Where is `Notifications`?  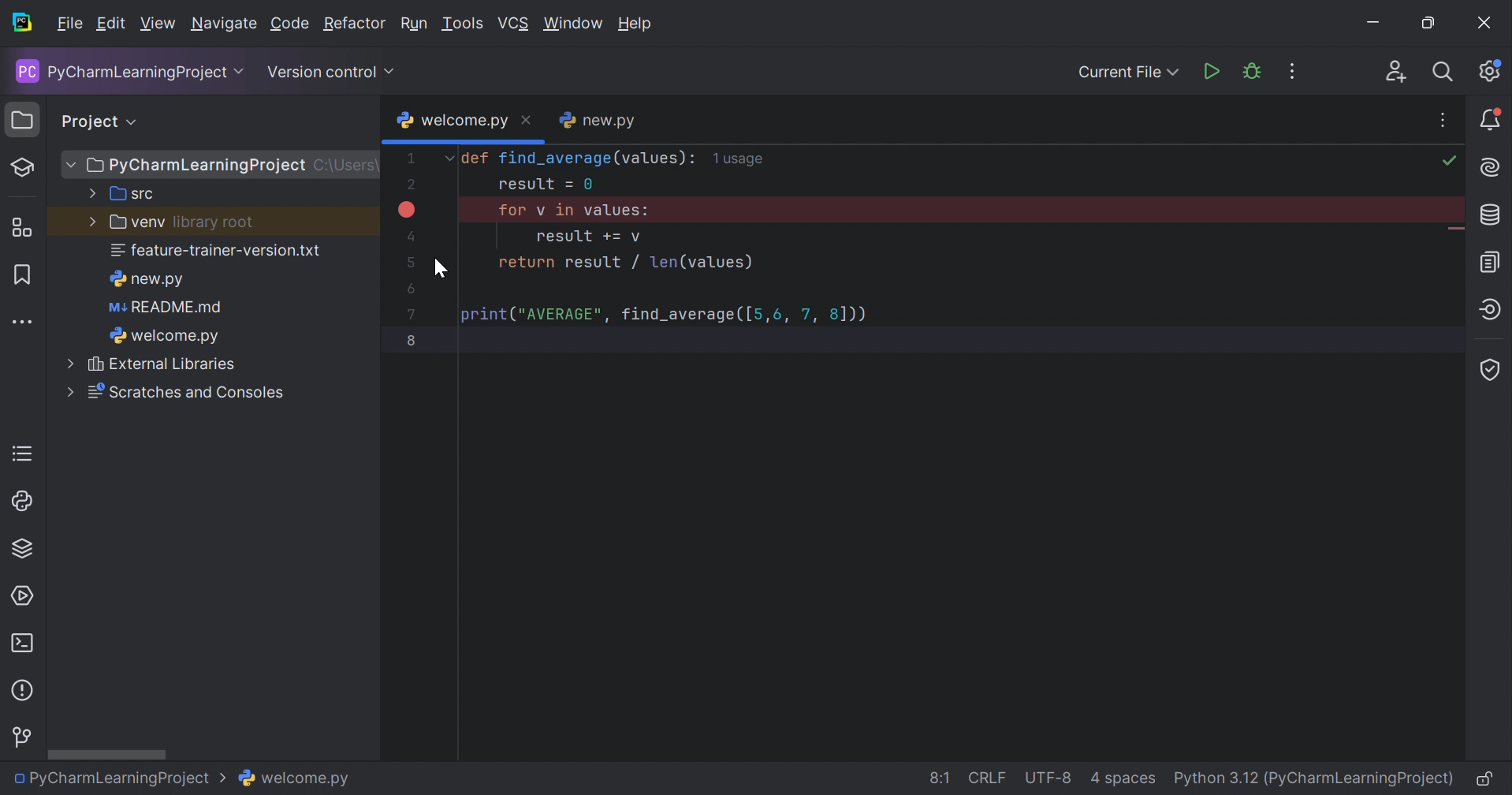 Notifications is located at coordinates (1492, 122).